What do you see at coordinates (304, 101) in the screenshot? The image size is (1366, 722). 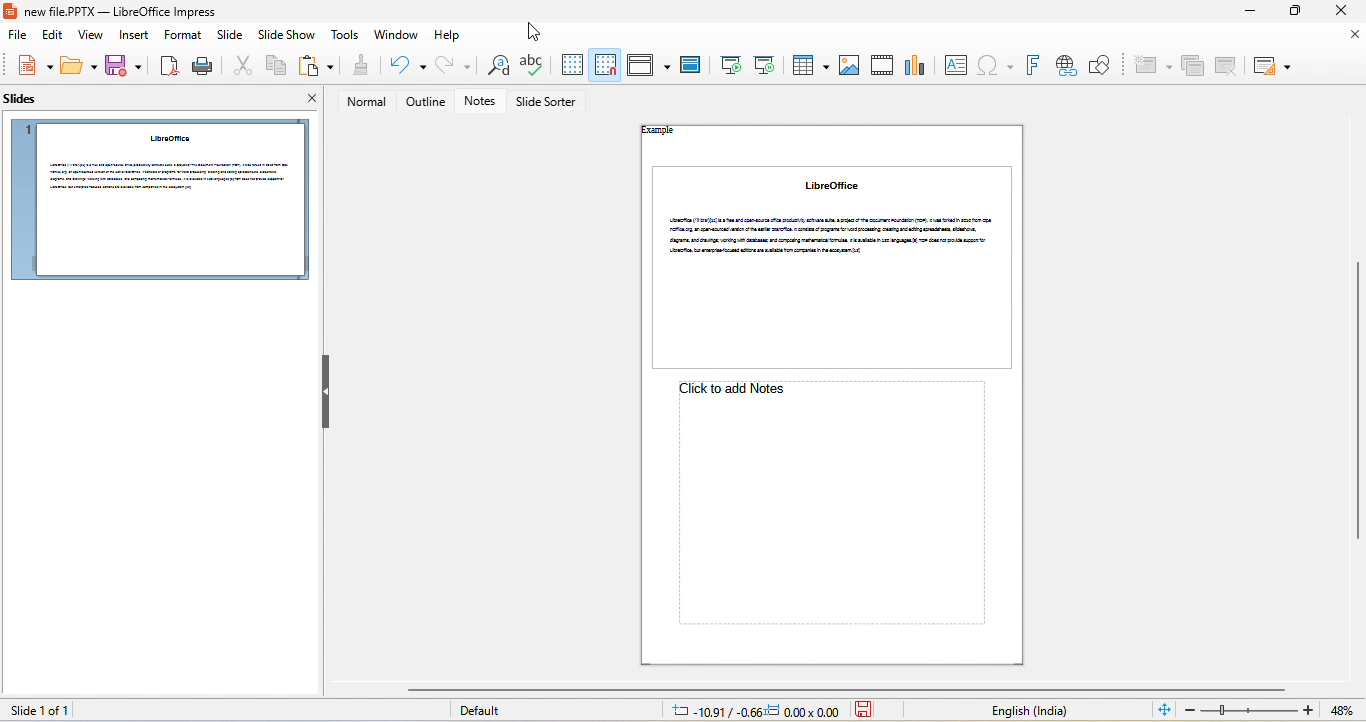 I see `close` at bounding box center [304, 101].